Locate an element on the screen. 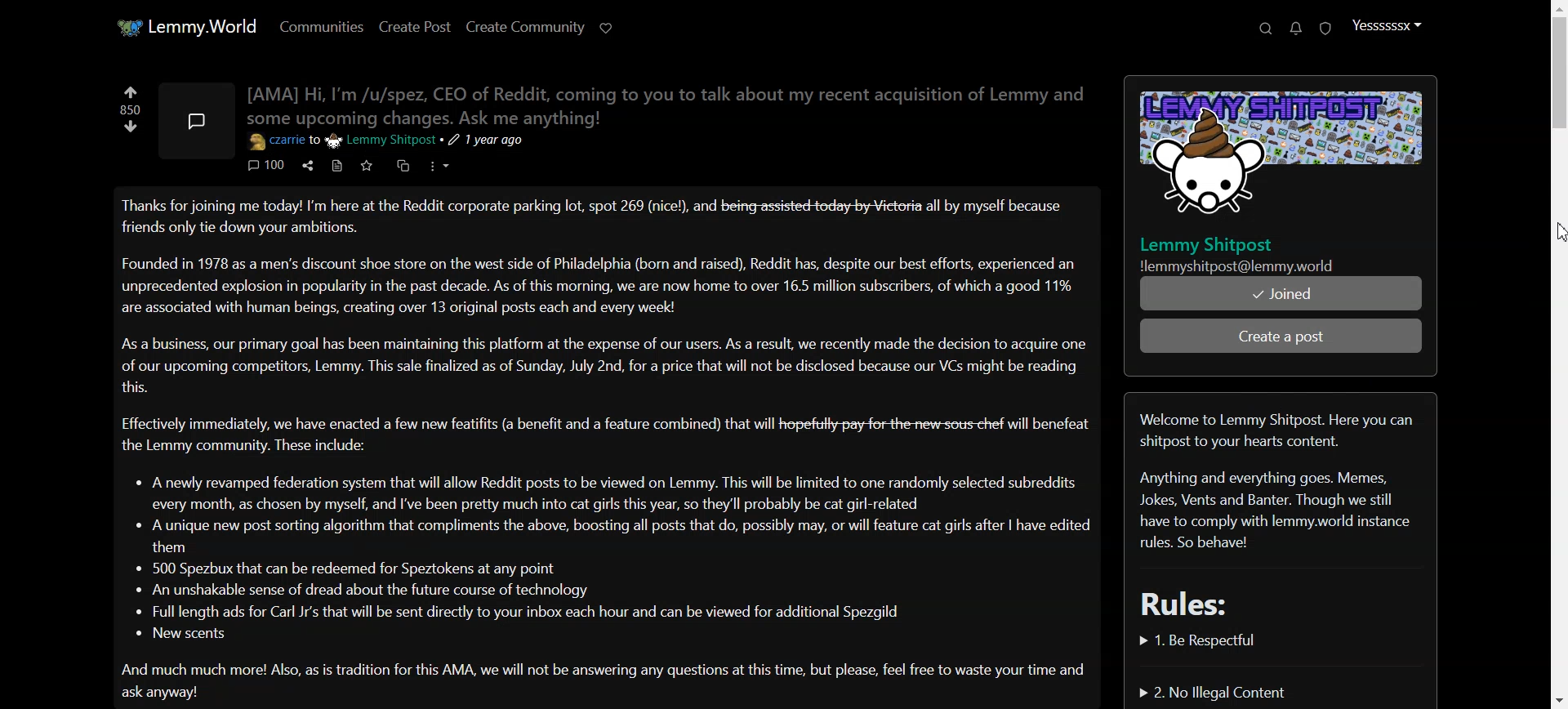 The image size is (1568, 709). No Illegal Content is located at coordinates (1226, 692).